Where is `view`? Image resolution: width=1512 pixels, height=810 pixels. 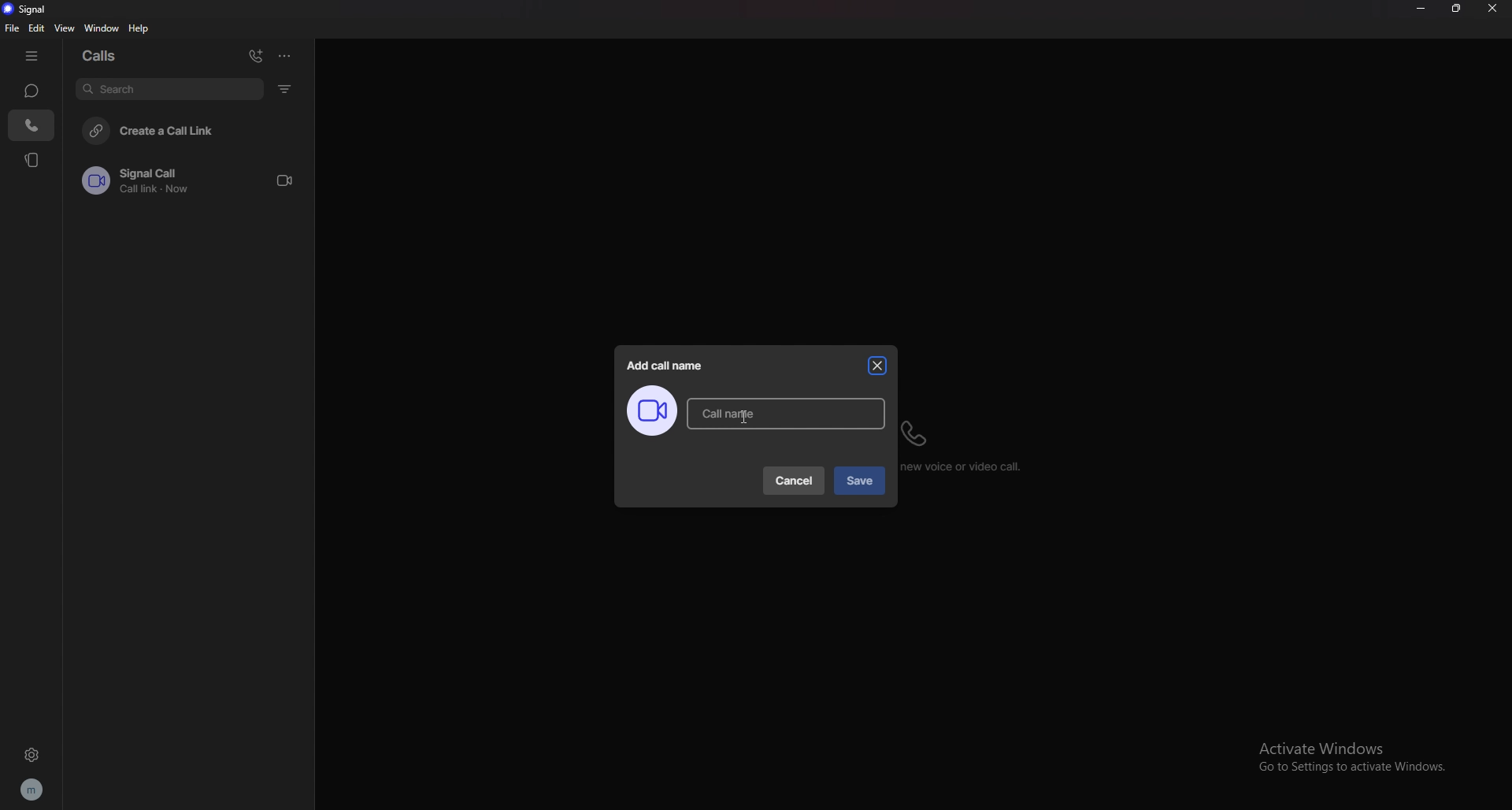 view is located at coordinates (65, 28).